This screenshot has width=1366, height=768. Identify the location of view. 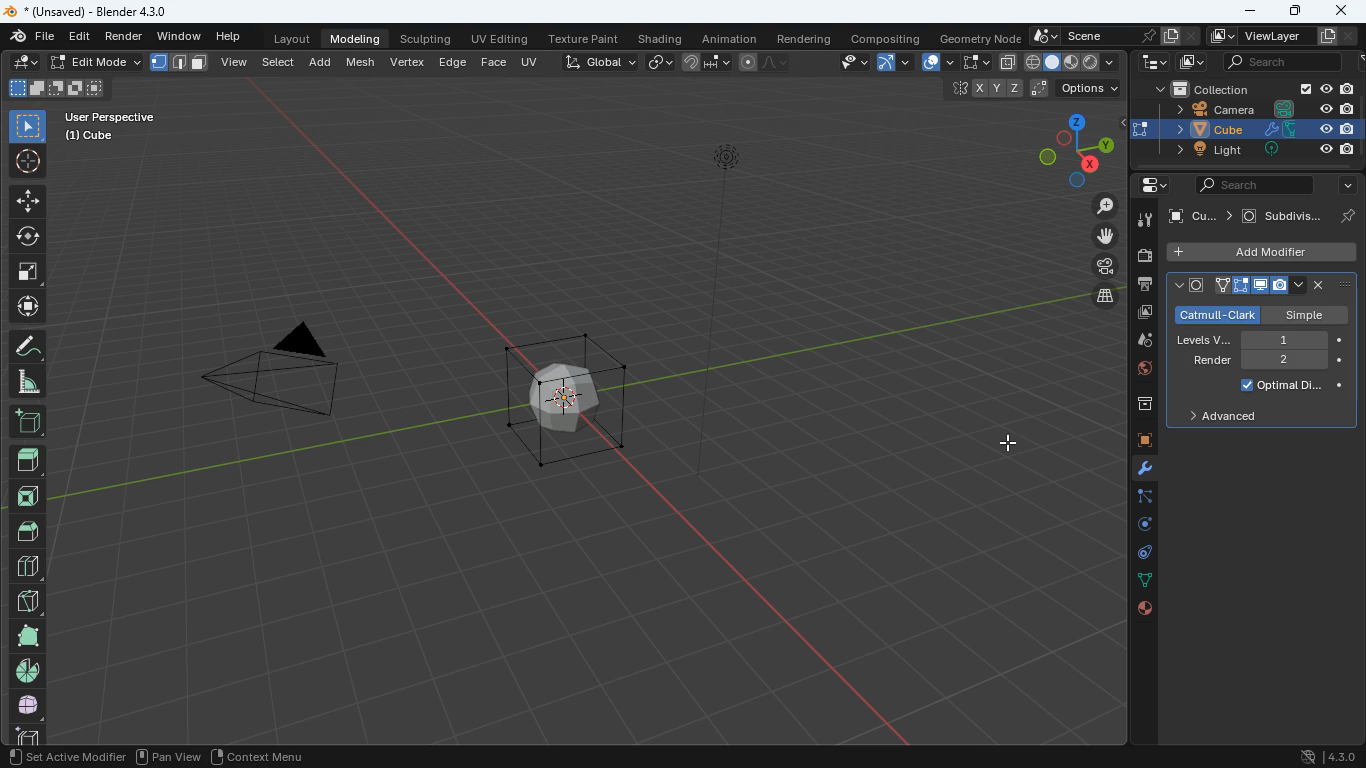
(242, 64).